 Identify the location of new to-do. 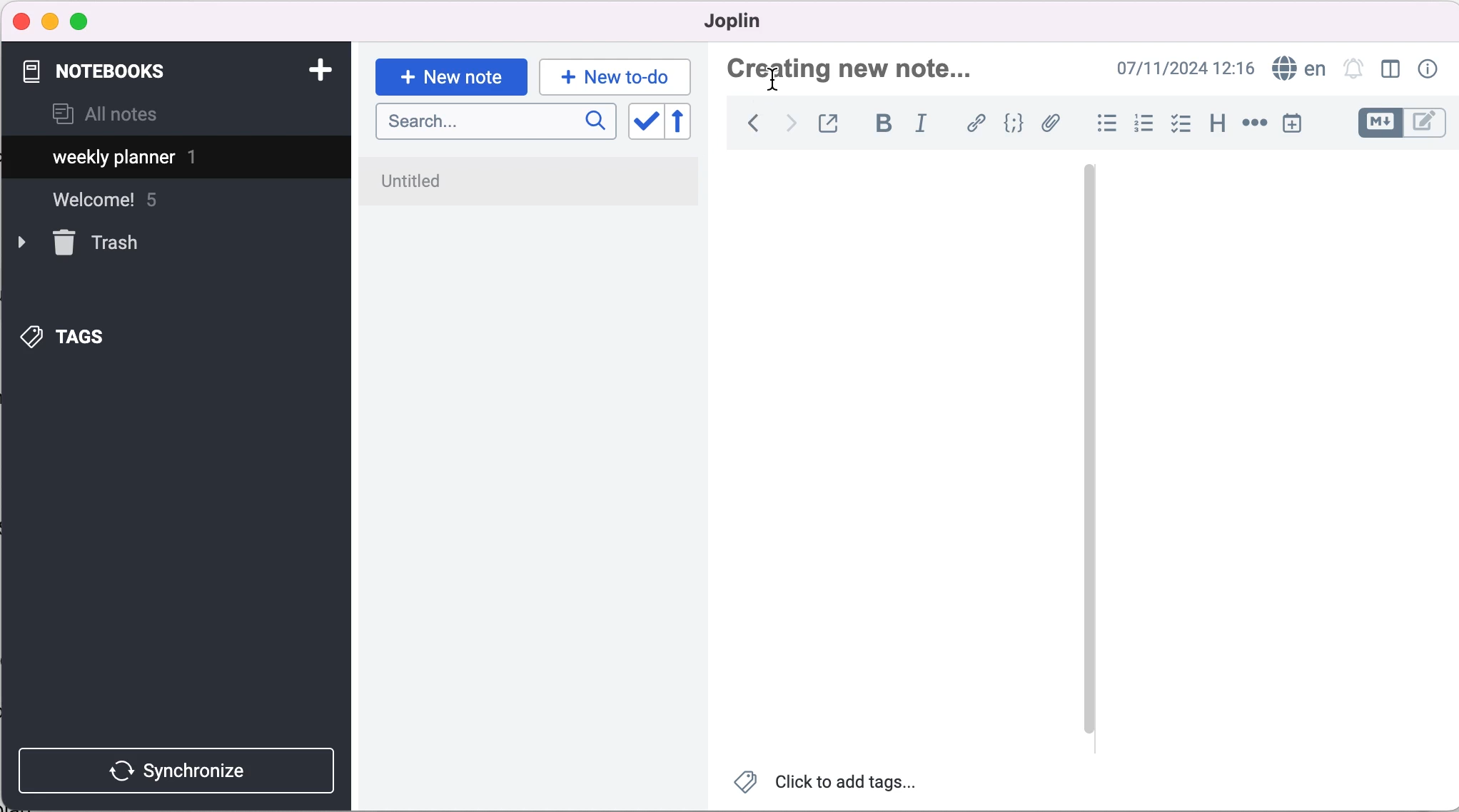
(612, 76).